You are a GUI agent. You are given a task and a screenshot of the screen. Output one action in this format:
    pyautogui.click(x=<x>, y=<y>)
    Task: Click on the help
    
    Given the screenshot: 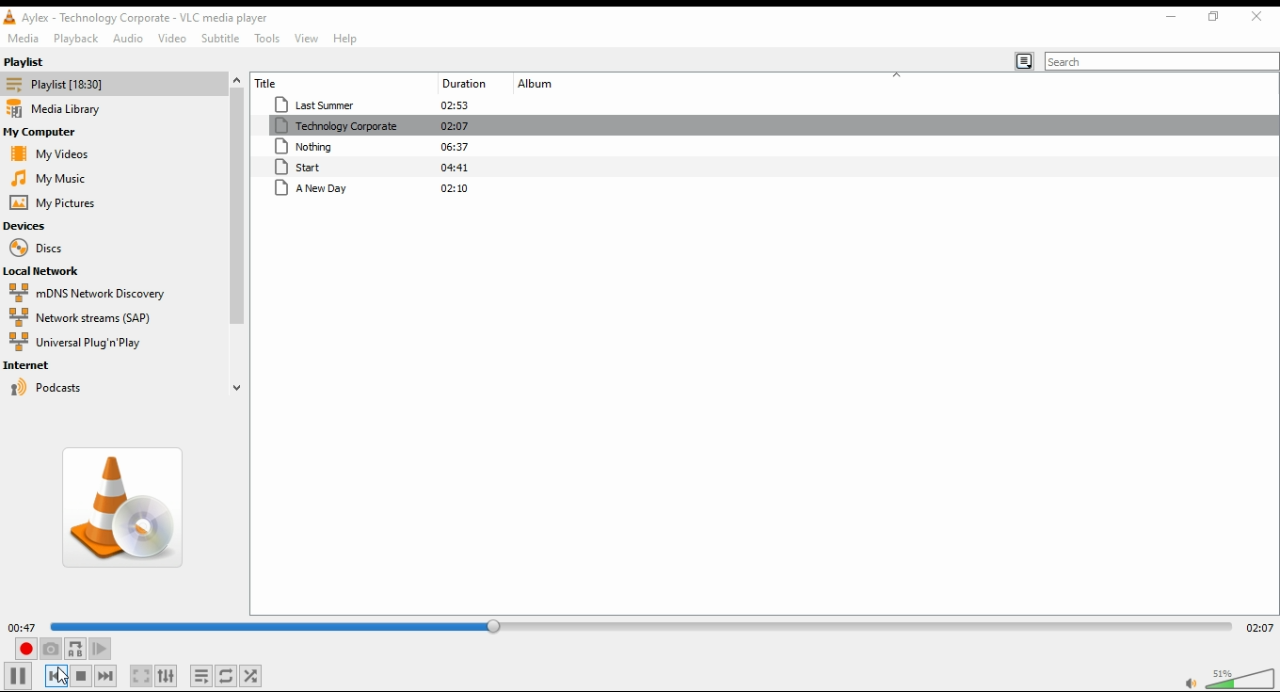 What is the action you would take?
    pyautogui.click(x=345, y=38)
    